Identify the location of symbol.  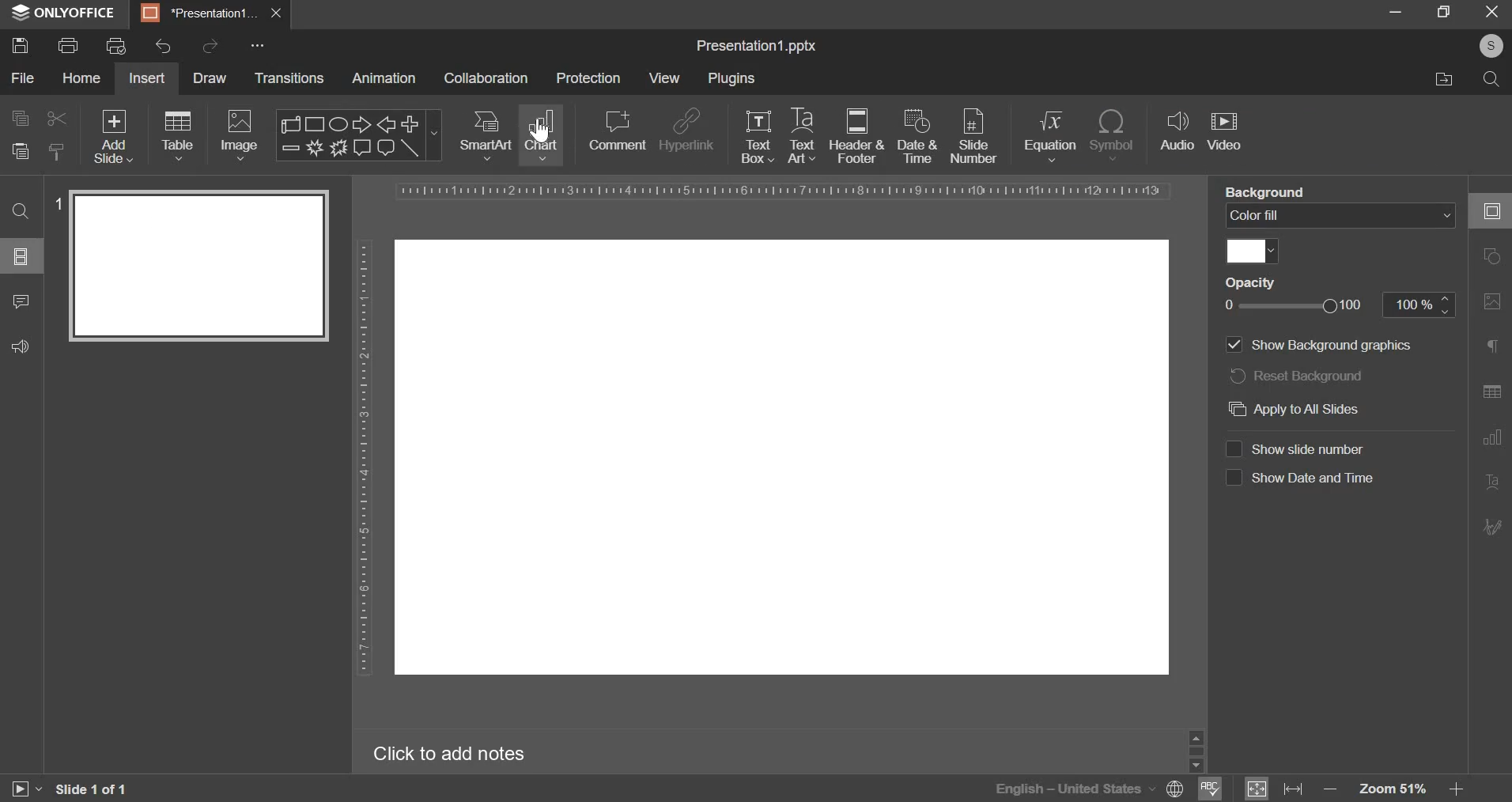
(1113, 134).